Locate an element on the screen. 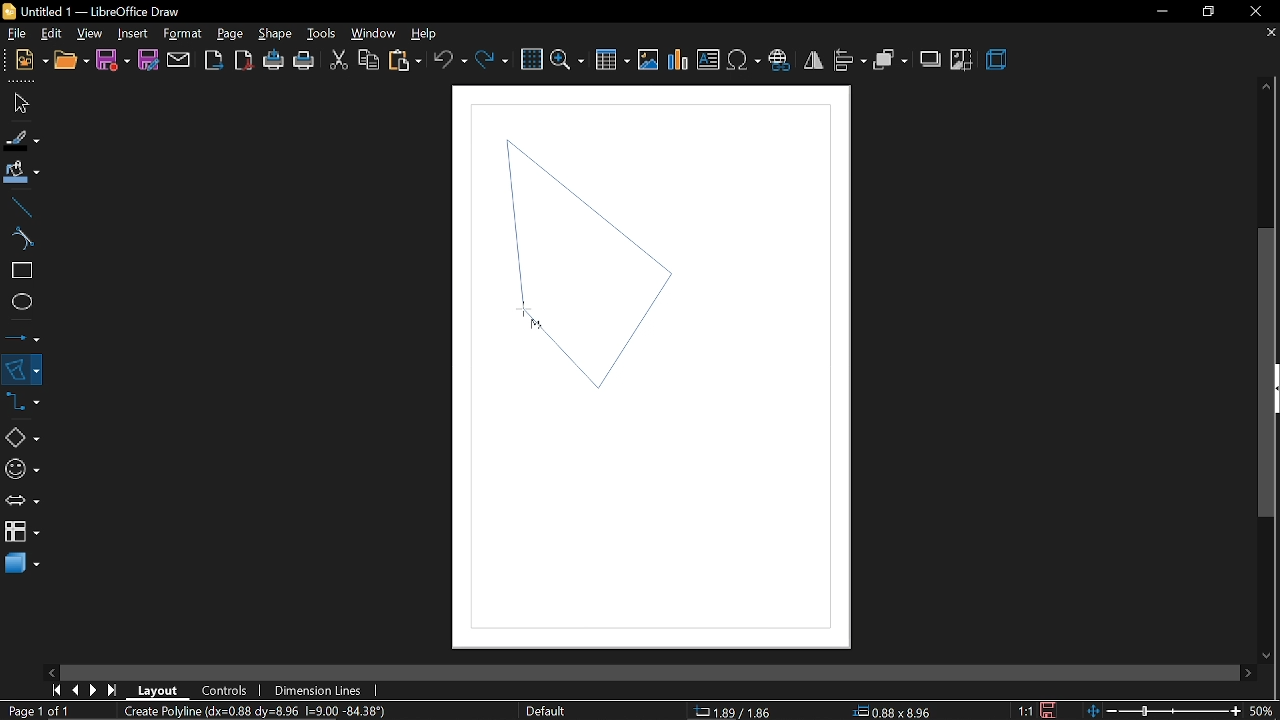  insert hyperlink is located at coordinates (782, 58).